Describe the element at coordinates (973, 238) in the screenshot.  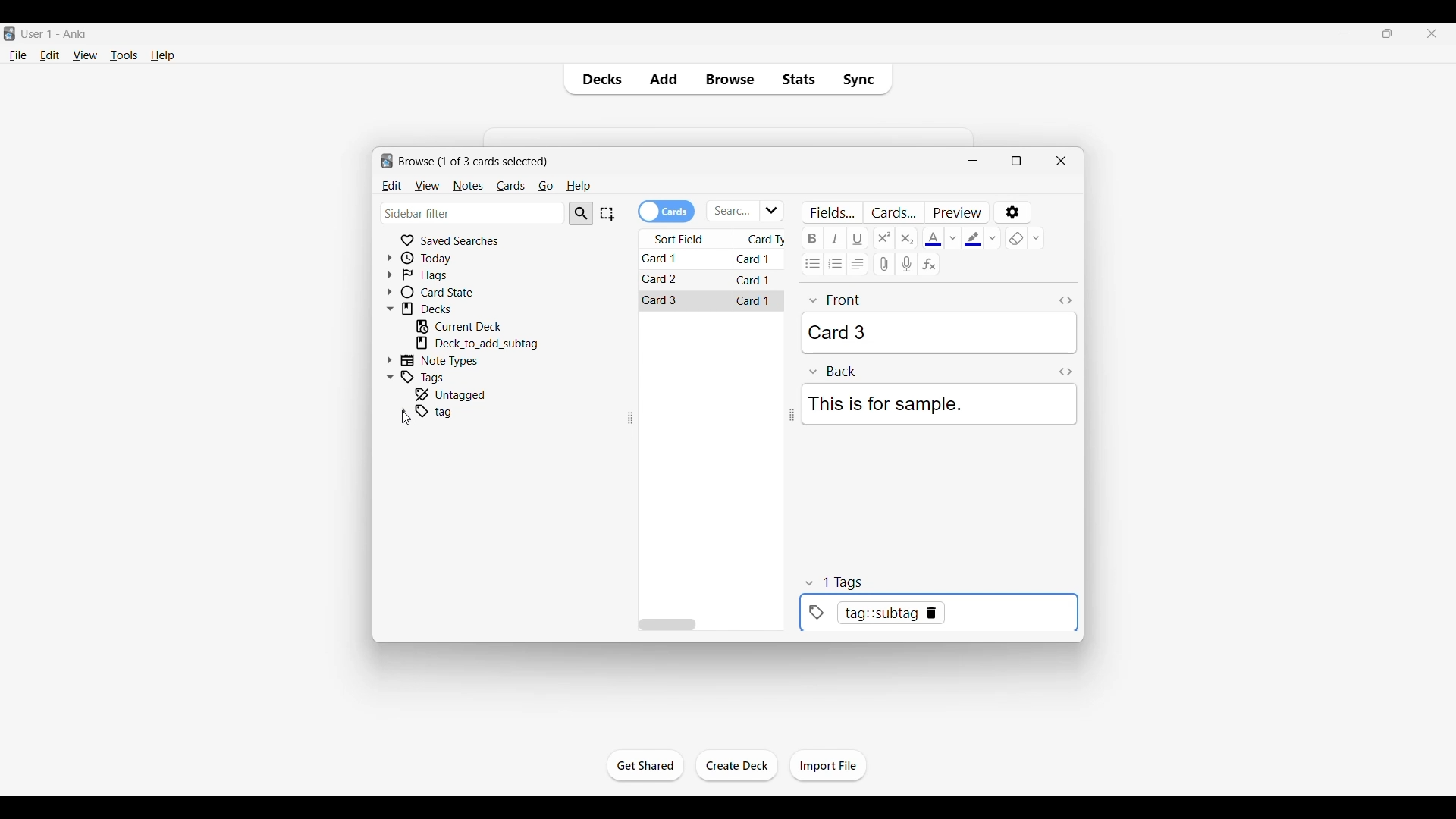
I see `Selected text highlight color` at that location.